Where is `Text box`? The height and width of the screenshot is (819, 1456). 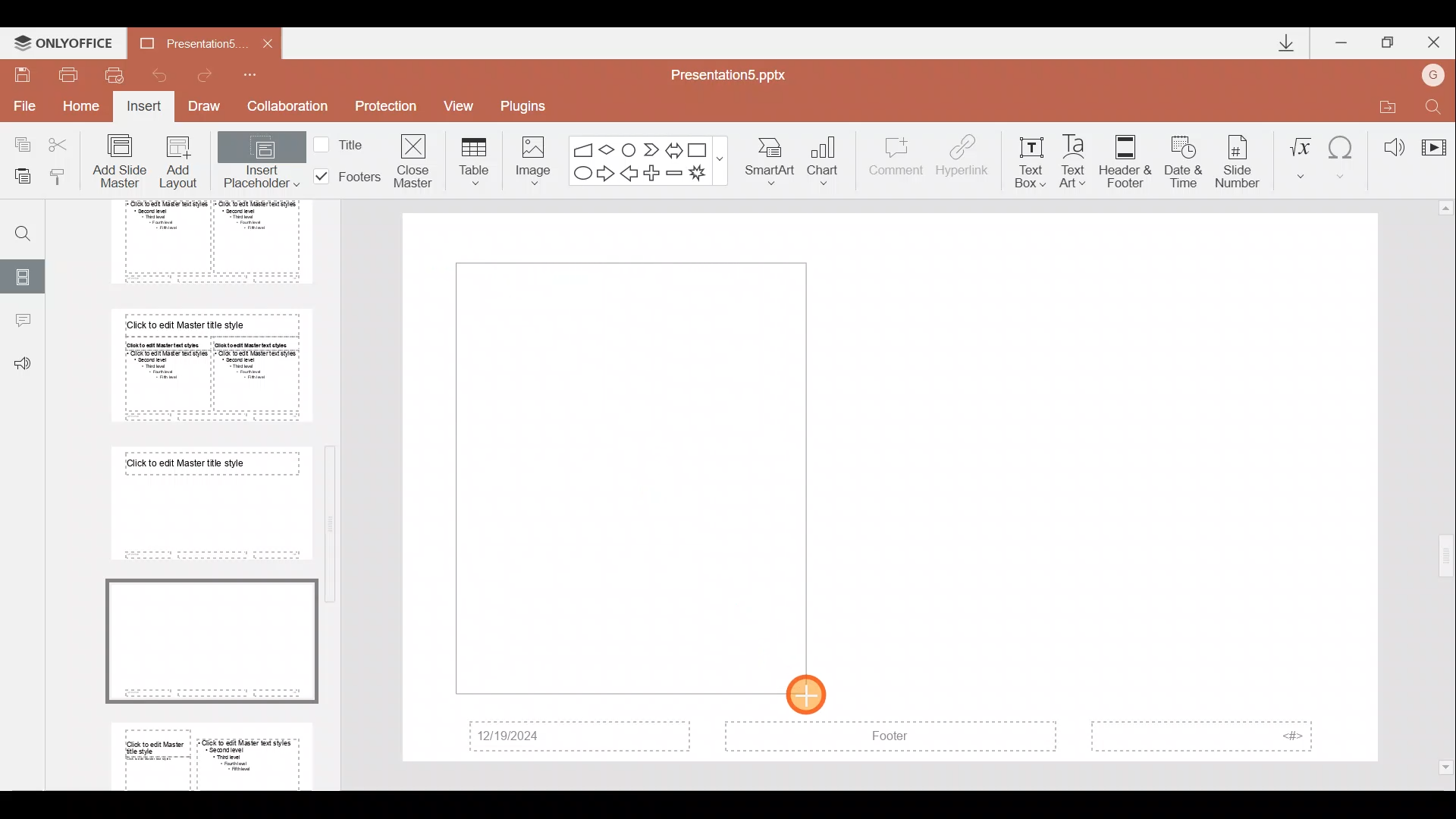 Text box is located at coordinates (1030, 158).